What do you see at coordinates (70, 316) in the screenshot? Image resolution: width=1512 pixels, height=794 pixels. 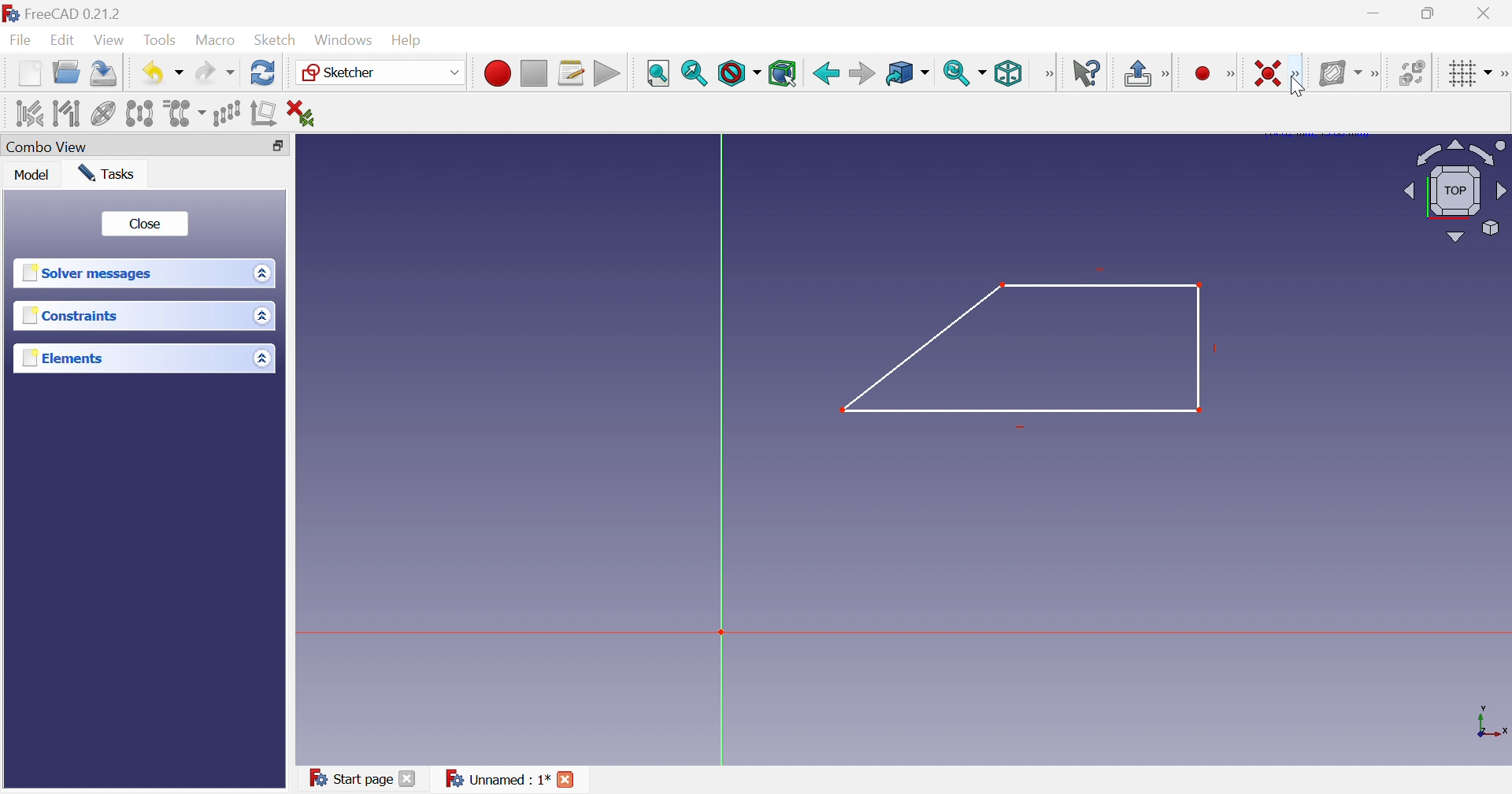 I see `Constraints` at bounding box center [70, 316].